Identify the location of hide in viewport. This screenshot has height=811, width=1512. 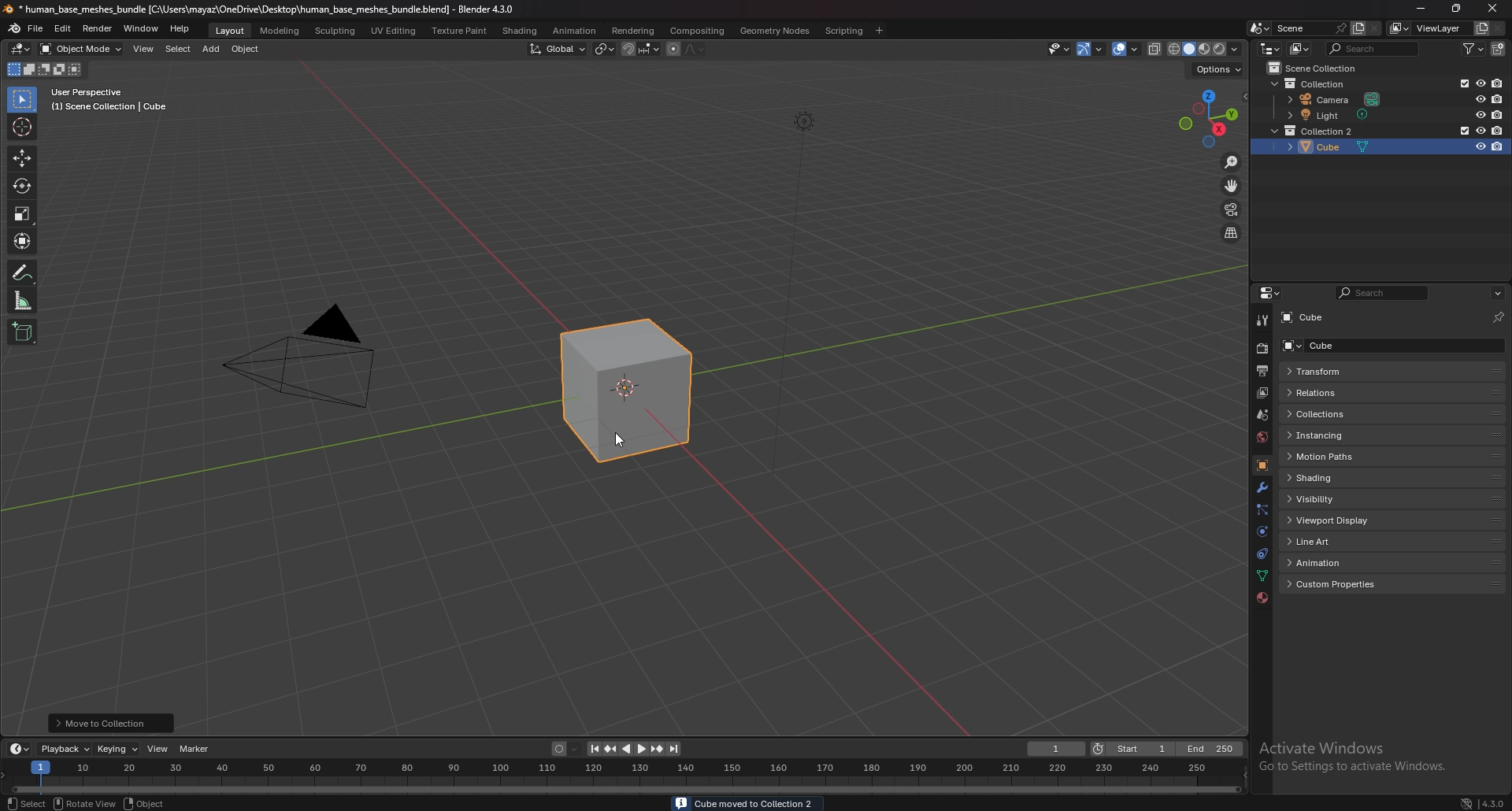
(1480, 98).